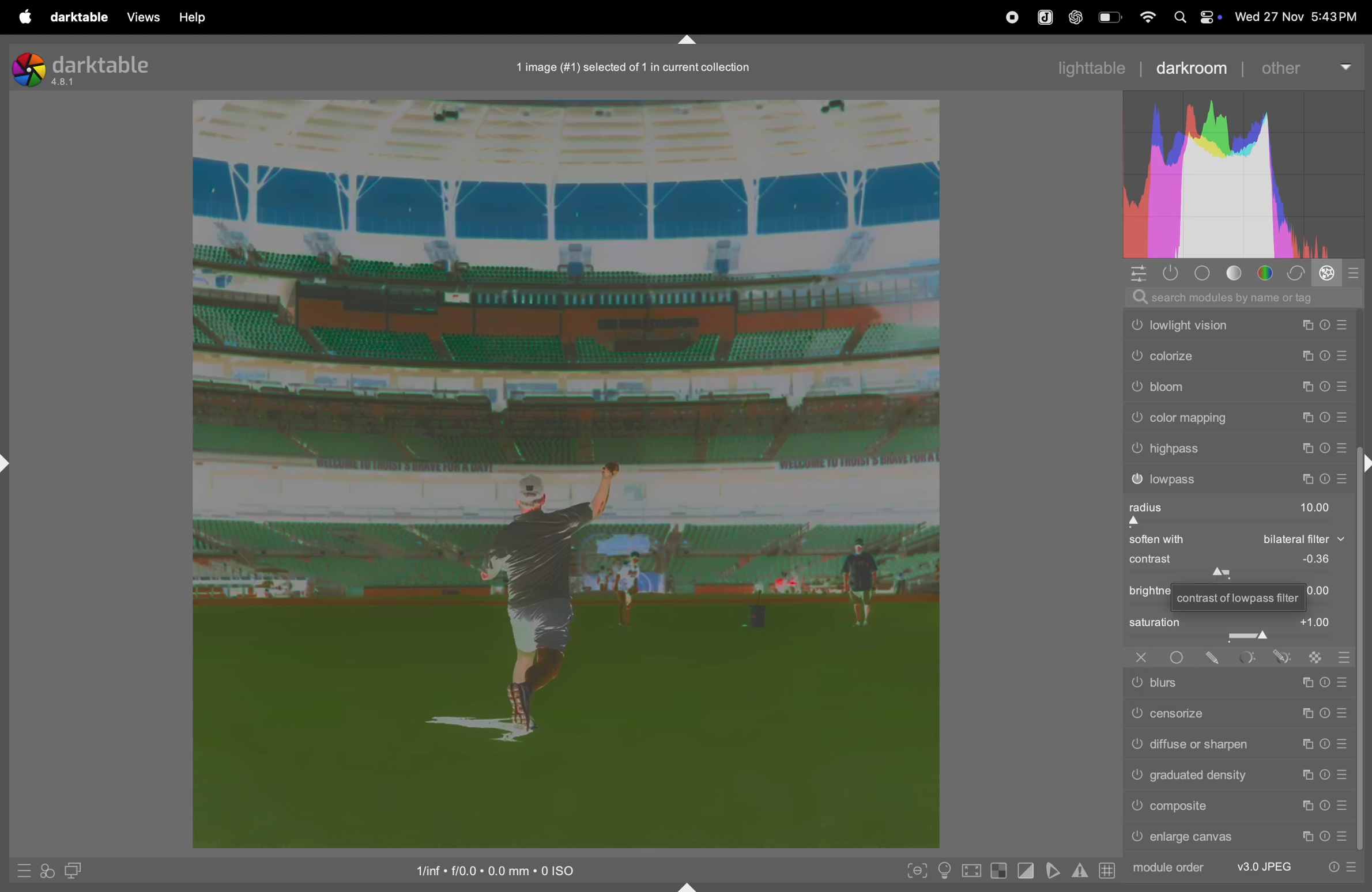 This screenshot has width=1372, height=892. I want to click on presets, so click(1355, 273).